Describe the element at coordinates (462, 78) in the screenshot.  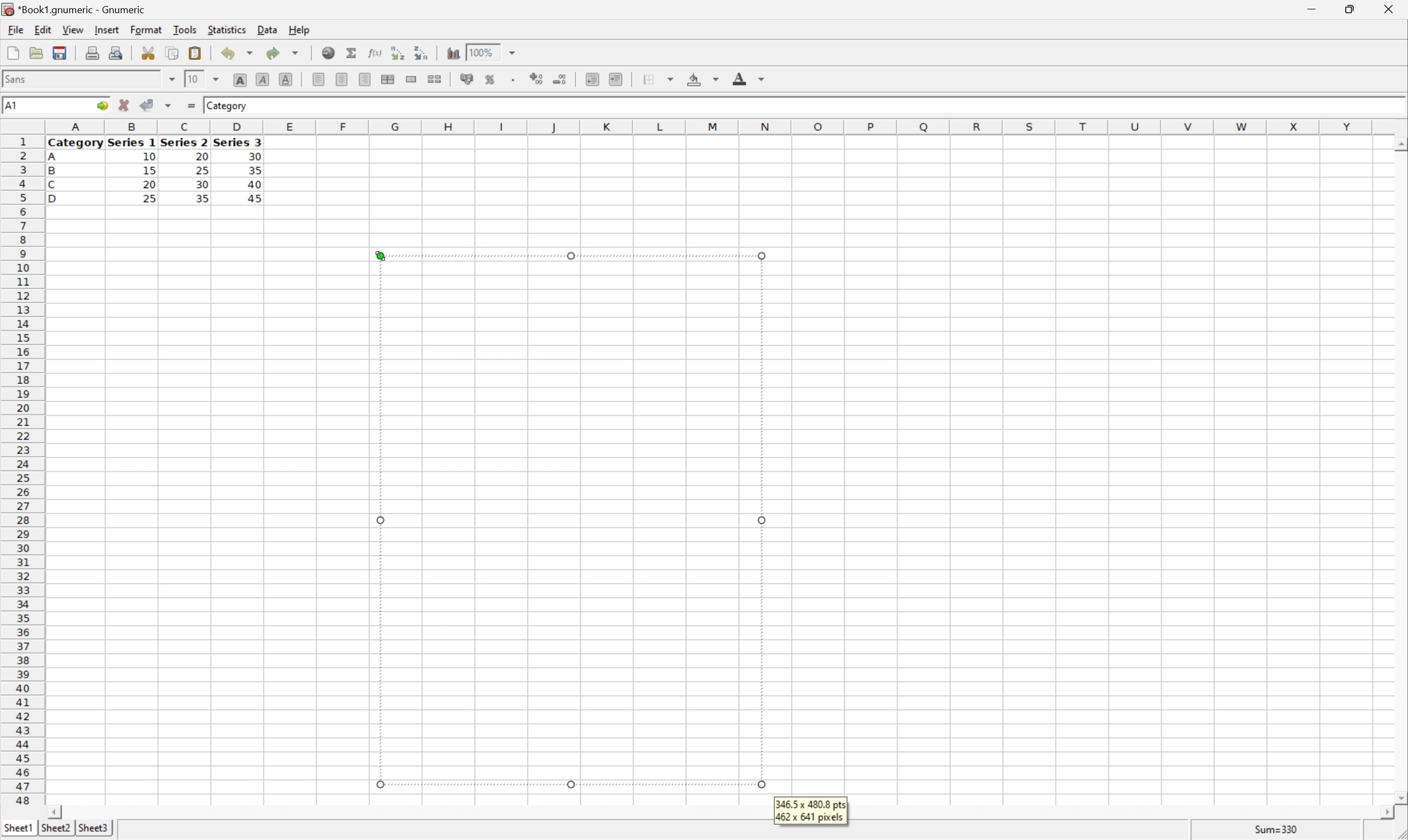
I see `Format the selection as accounting` at that location.